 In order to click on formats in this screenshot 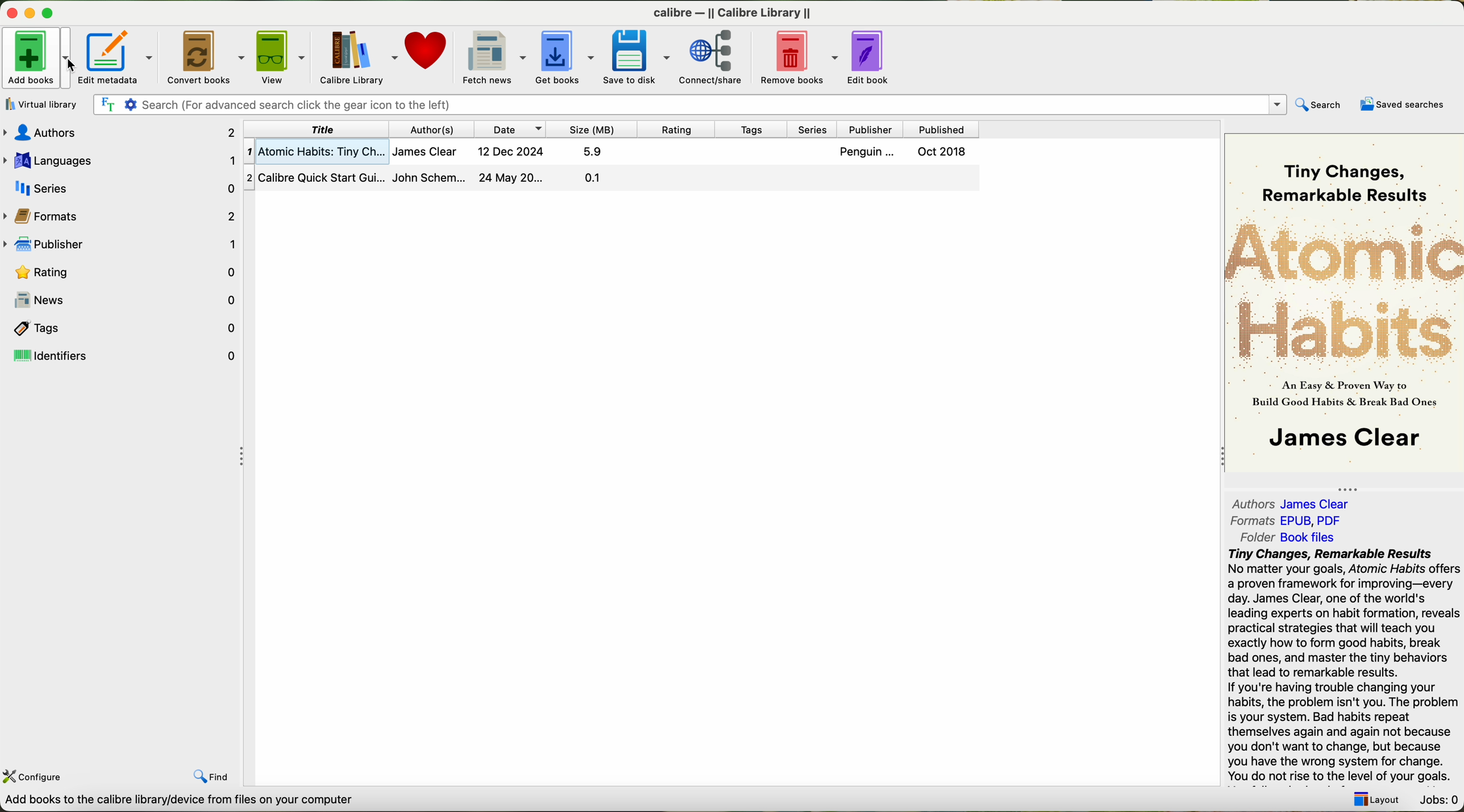, I will do `click(123, 215)`.